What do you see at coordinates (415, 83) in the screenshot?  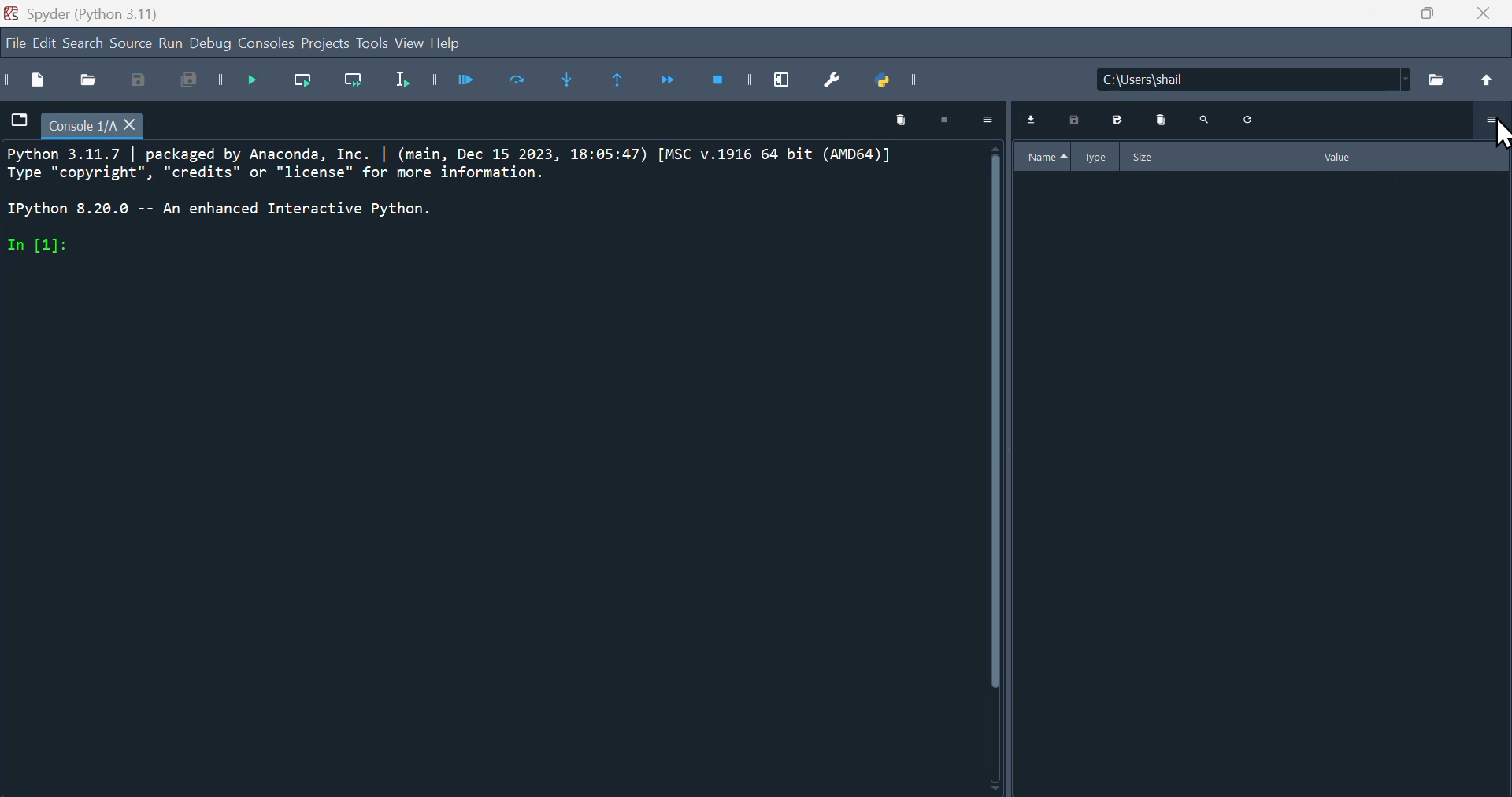 I see `Run selection` at bounding box center [415, 83].